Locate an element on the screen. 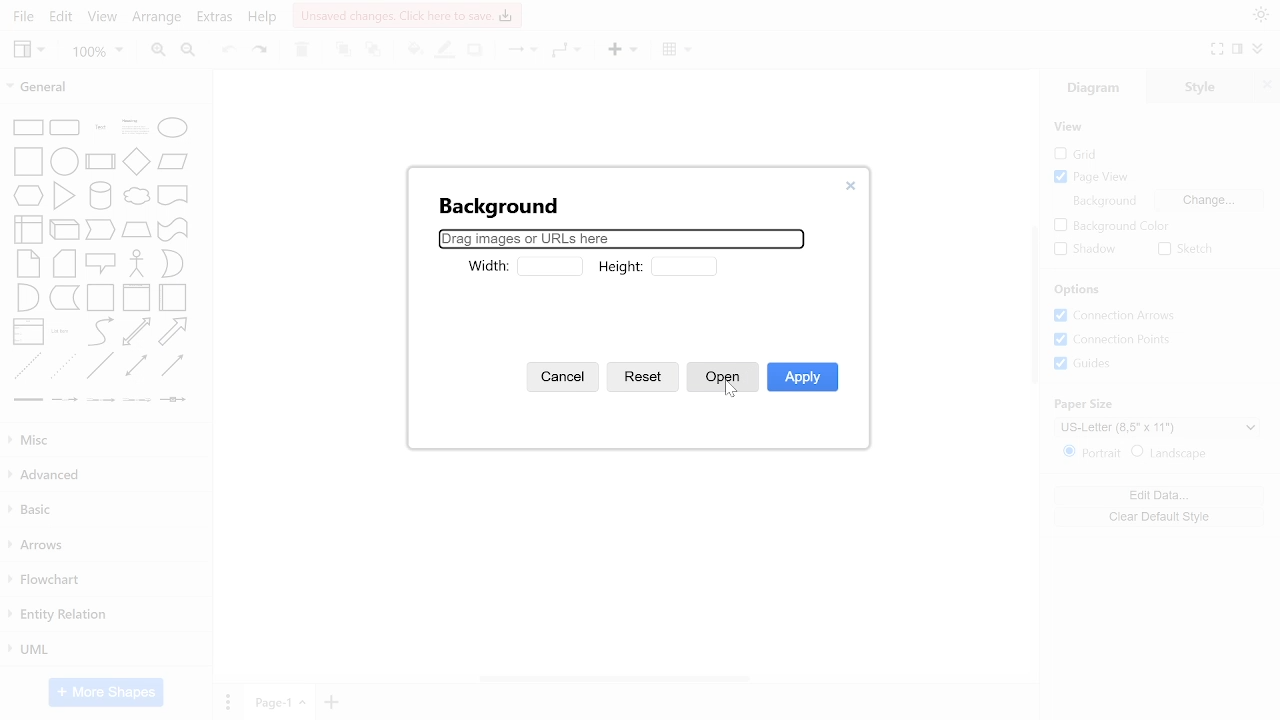 Image resolution: width=1280 pixels, height=720 pixels. general shapes is located at coordinates (63, 226).